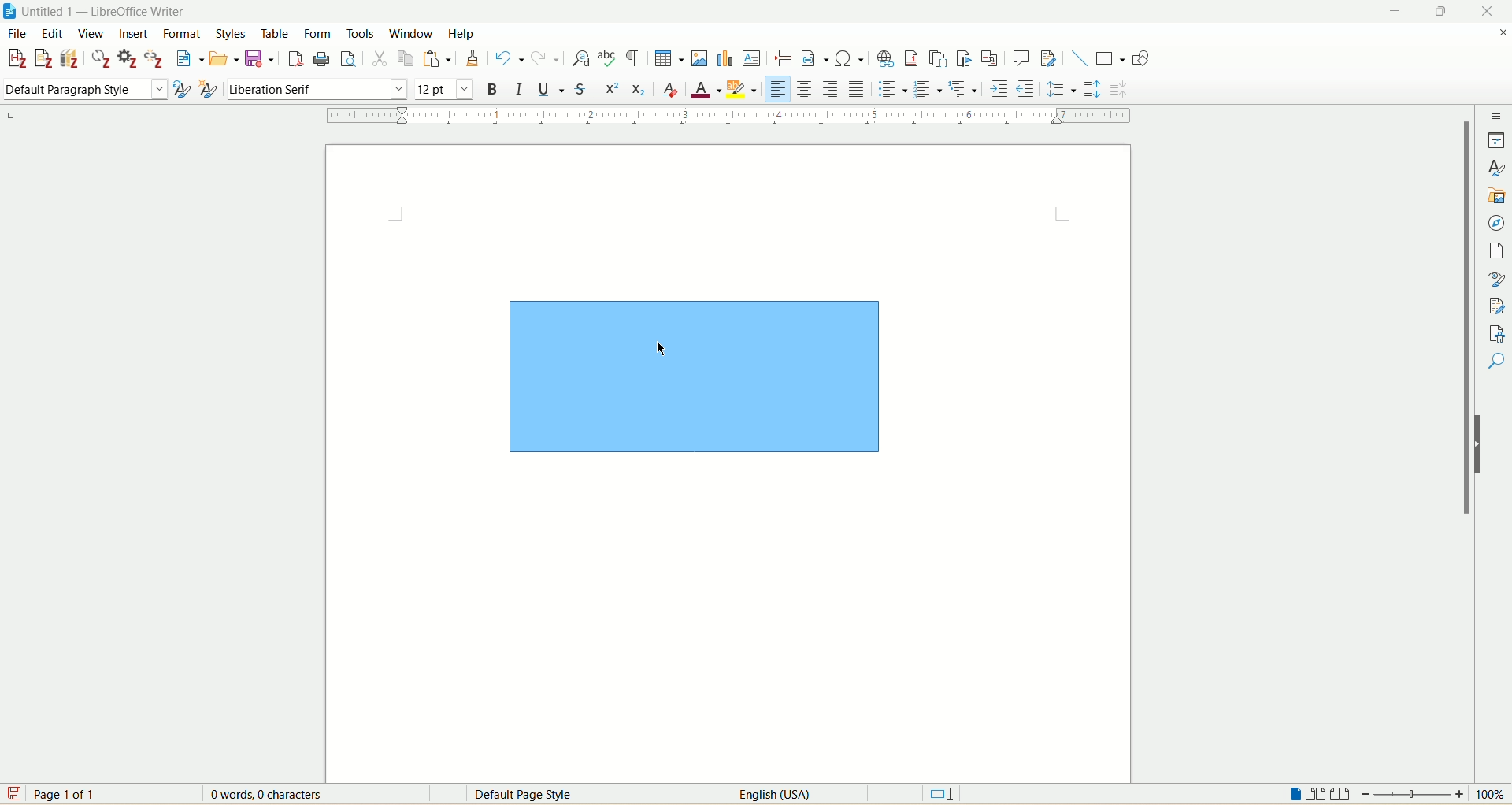 Image resolution: width=1512 pixels, height=805 pixels. Describe the element at coordinates (13, 793) in the screenshot. I see `save` at that location.